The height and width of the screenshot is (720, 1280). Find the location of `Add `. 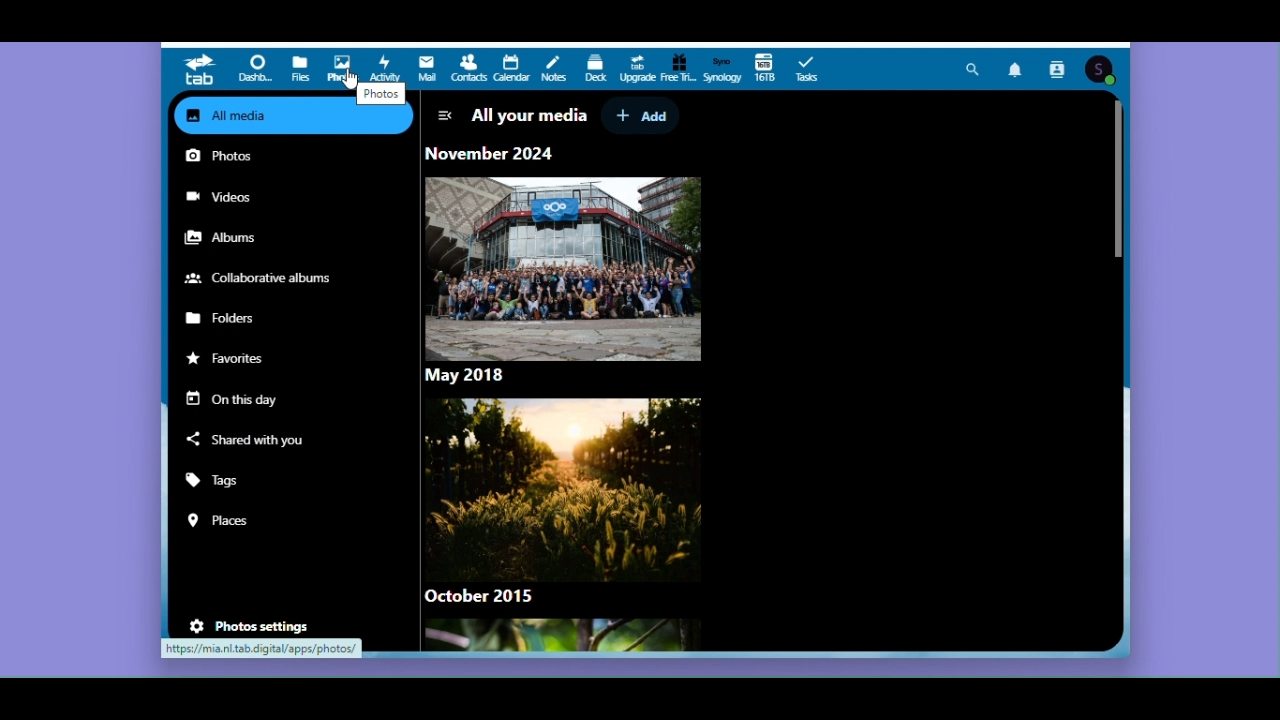

Add  is located at coordinates (641, 116).